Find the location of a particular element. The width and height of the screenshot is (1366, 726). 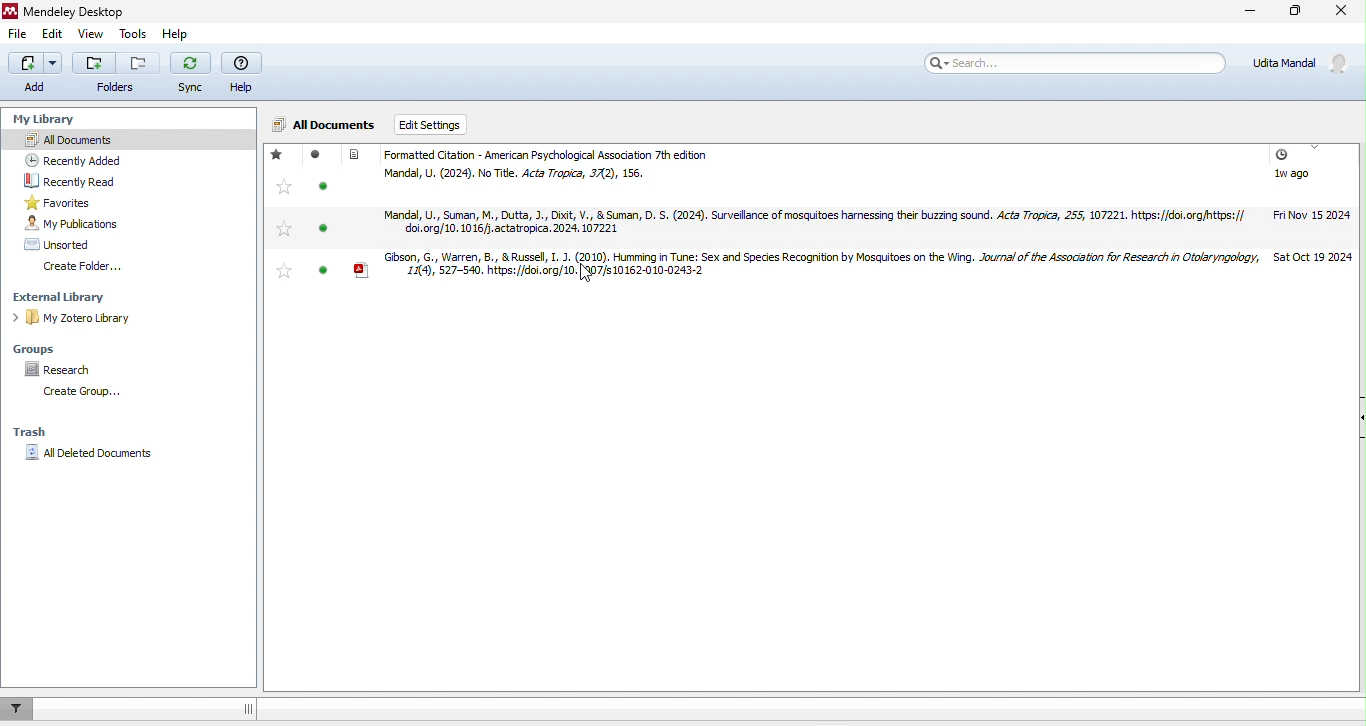

unsorted is located at coordinates (67, 243).